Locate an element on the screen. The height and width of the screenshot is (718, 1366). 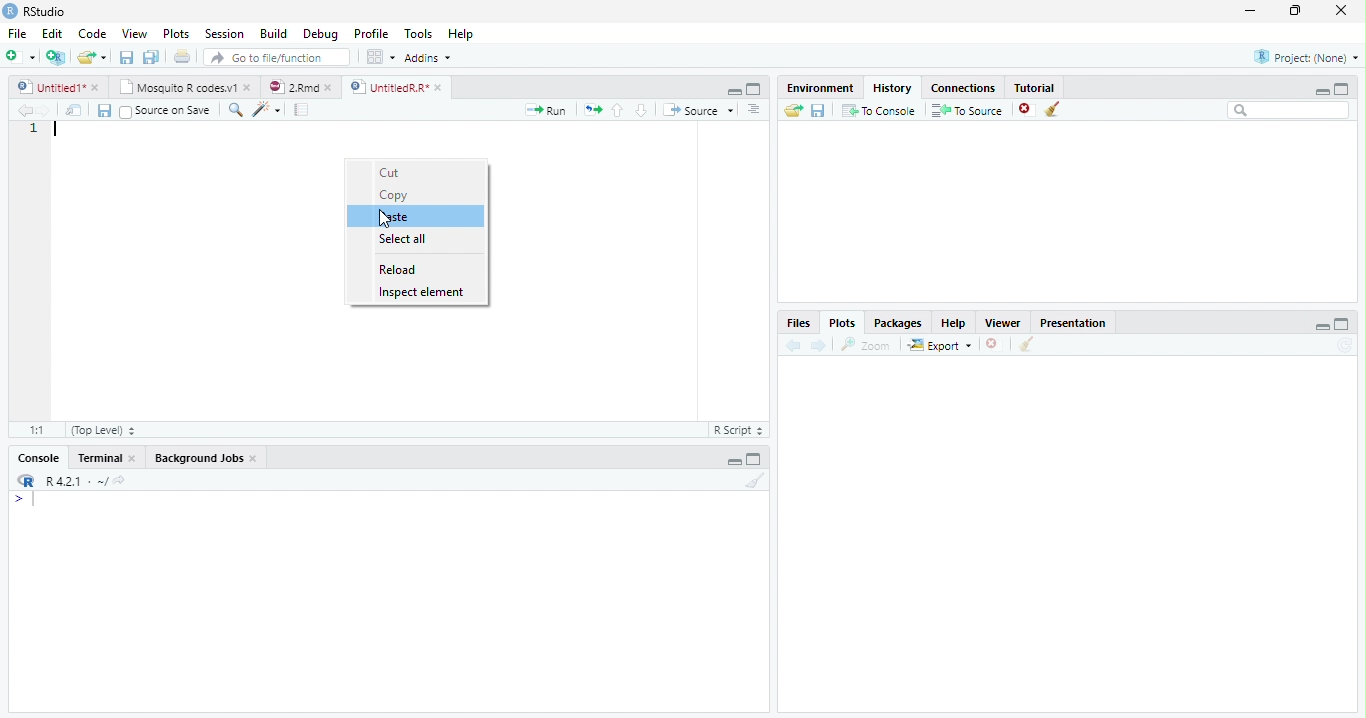
Untitled1 is located at coordinates (58, 87).